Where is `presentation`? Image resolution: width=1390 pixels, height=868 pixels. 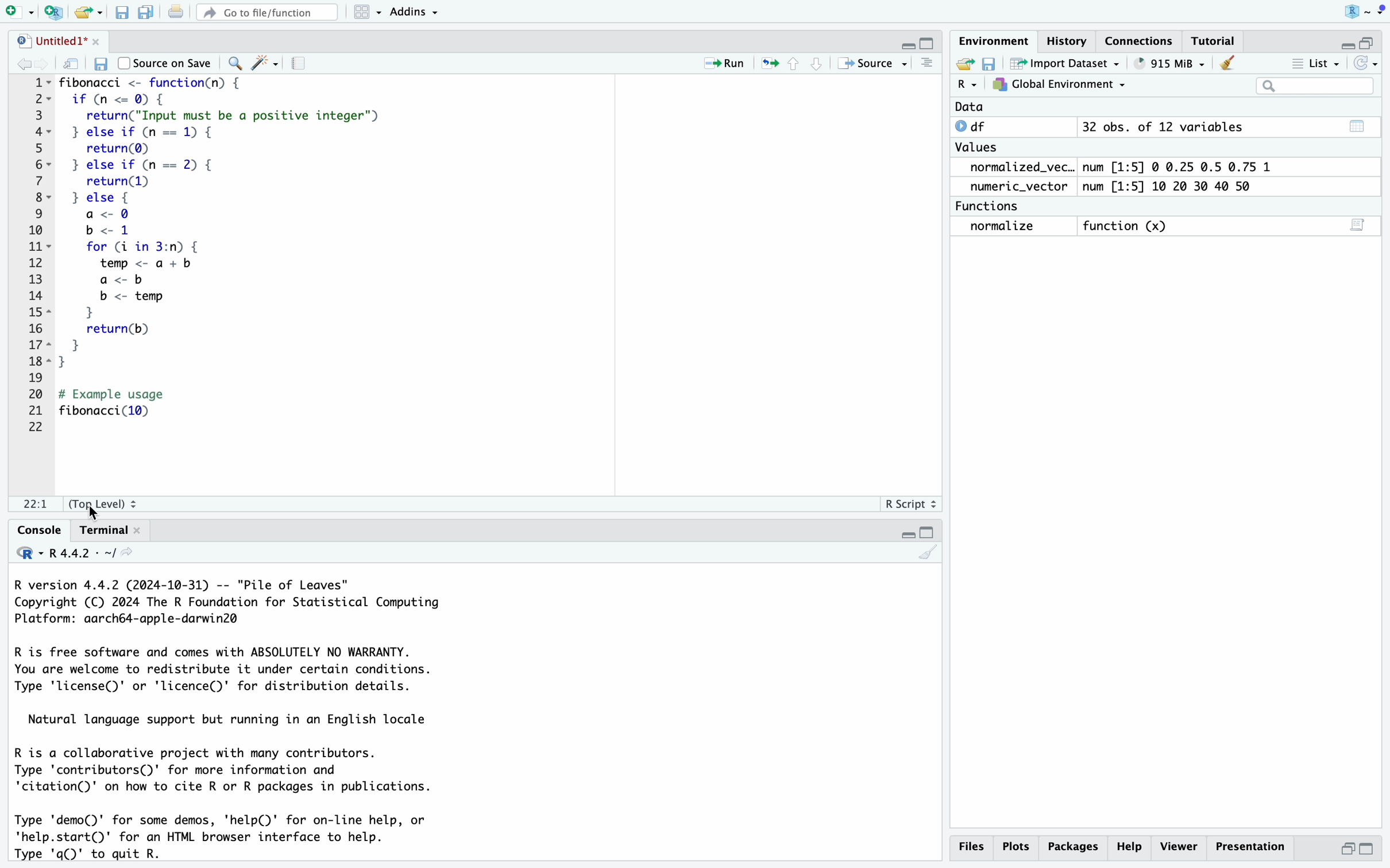 presentation is located at coordinates (1249, 847).